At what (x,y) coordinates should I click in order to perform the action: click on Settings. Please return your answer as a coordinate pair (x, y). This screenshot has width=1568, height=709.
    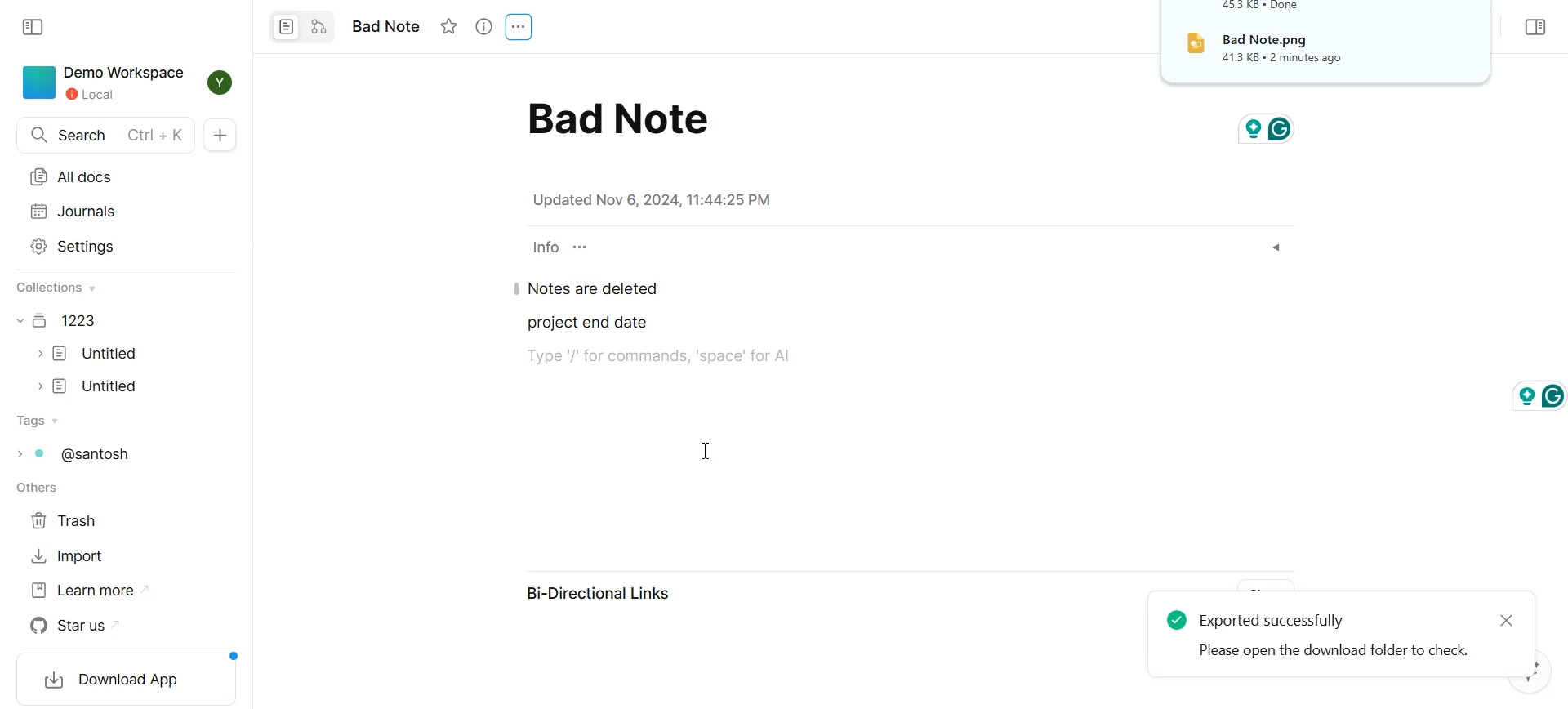
    Looking at the image, I should click on (519, 26).